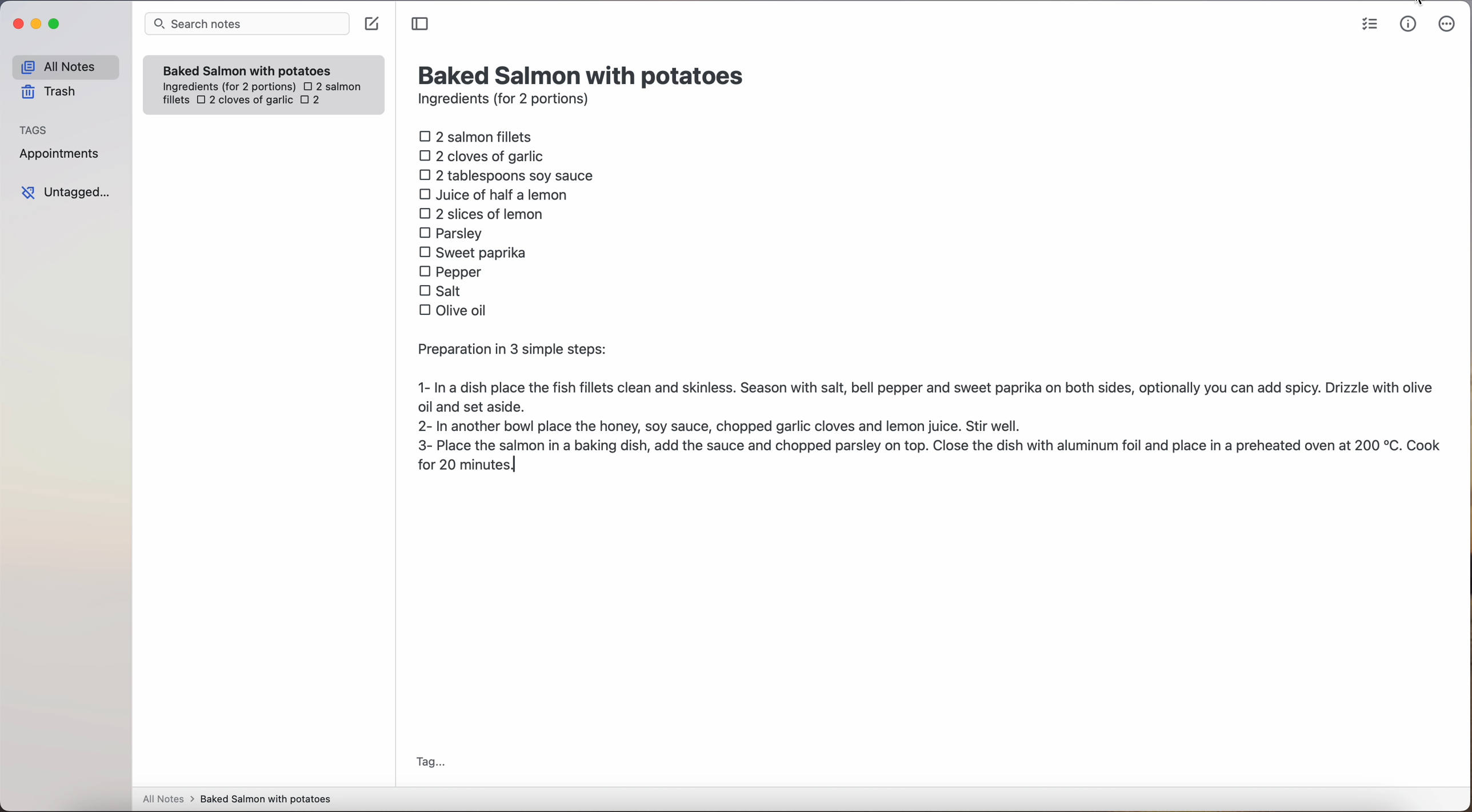  I want to click on minimize Simplenote, so click(36, 25).